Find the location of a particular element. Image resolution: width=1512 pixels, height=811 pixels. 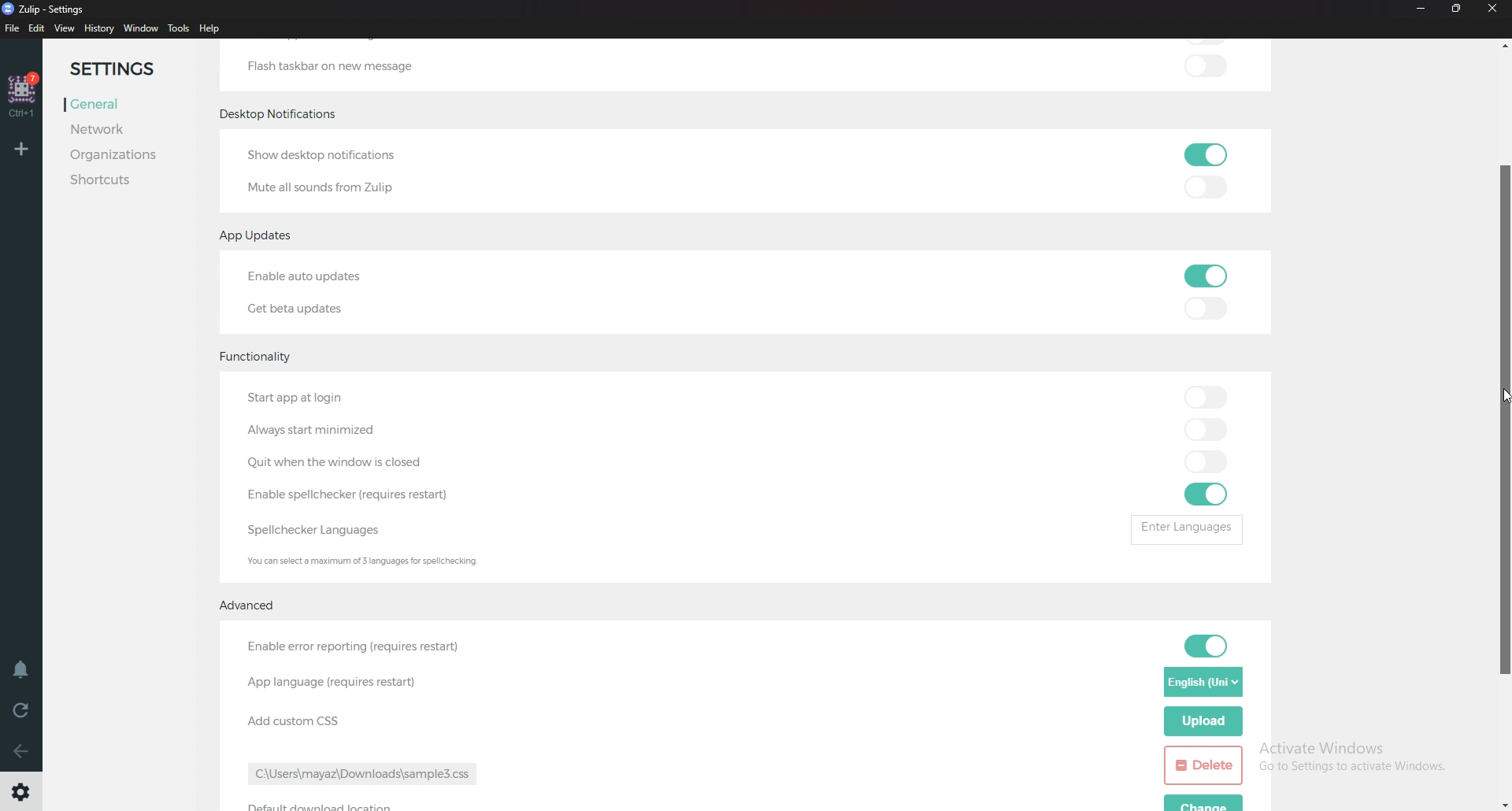

Desktop notifications is located at coordinates (283, 115).